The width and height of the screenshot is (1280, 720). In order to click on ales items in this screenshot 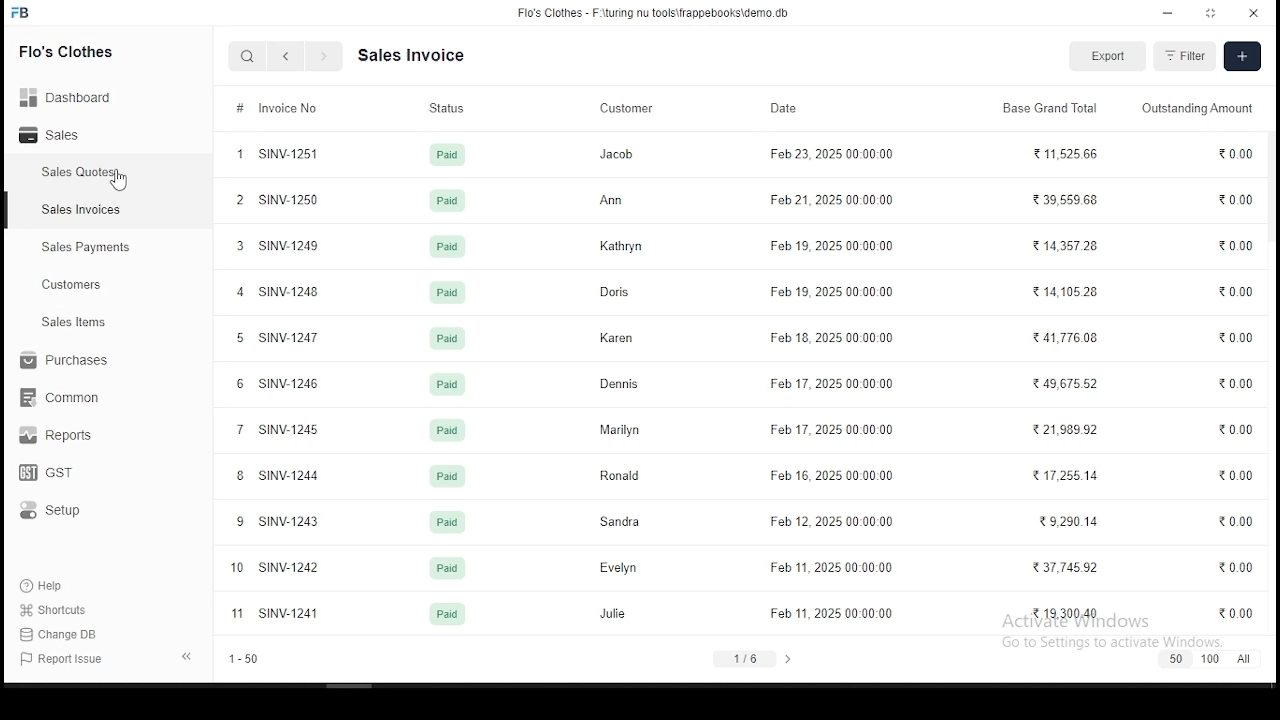, I will do `click(78, 323)`.